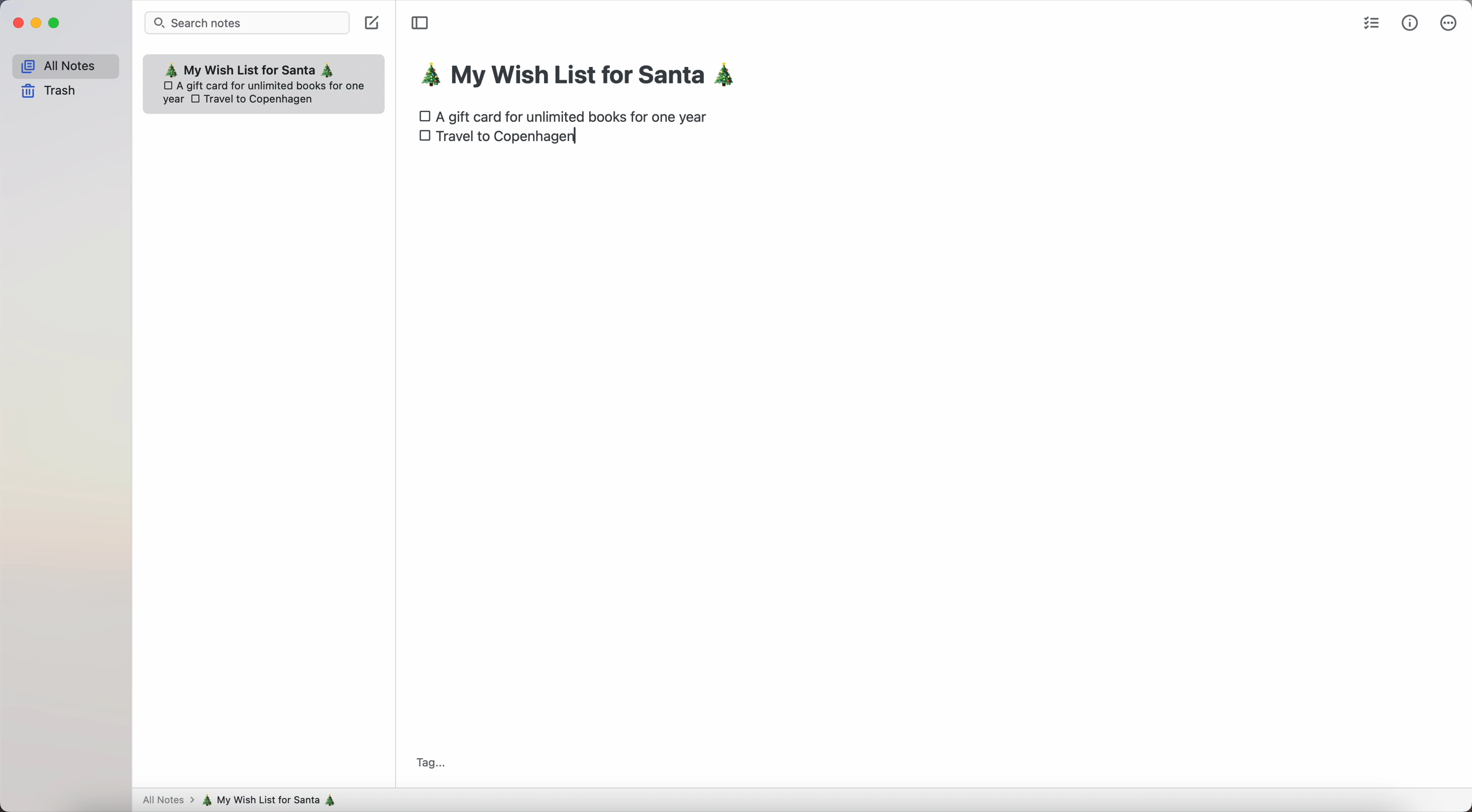 The height and width of the screenshot is (812, 1472). I want to click on search bar, so click(247, 22).